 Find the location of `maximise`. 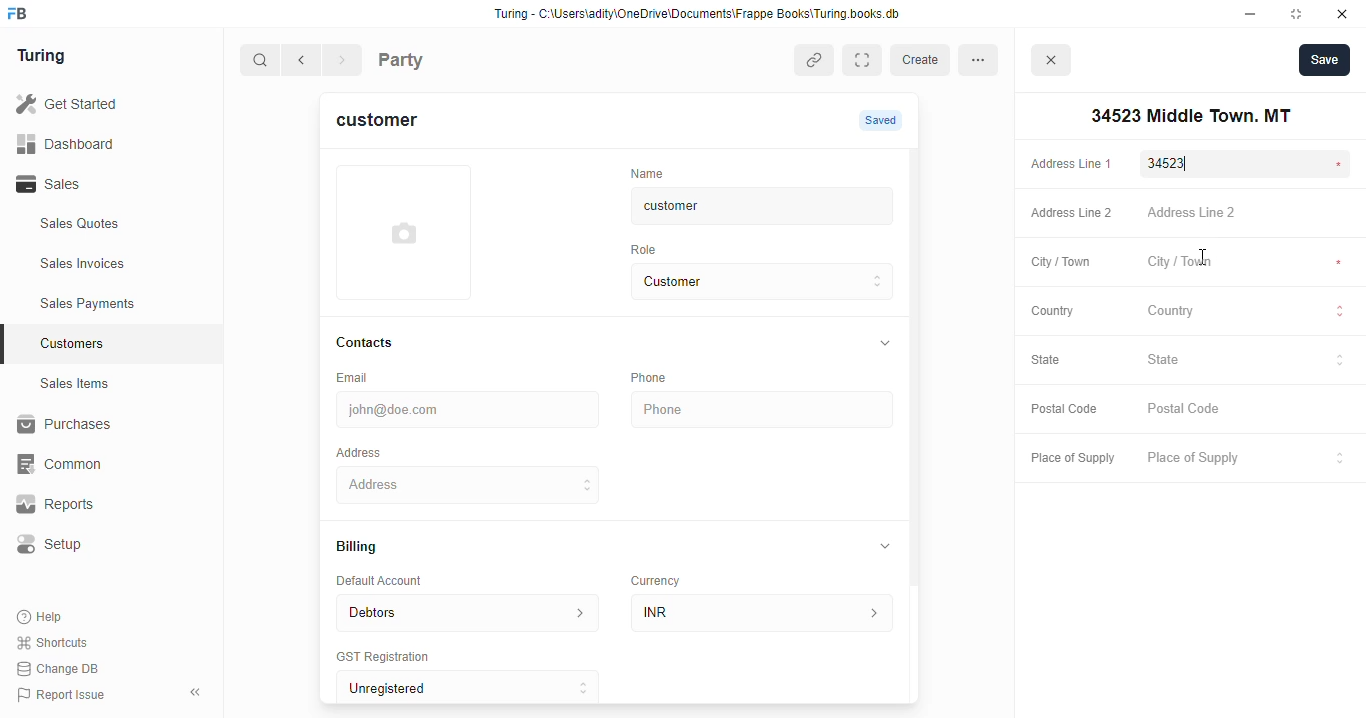

maximise is located at coordinates (1300, 14).